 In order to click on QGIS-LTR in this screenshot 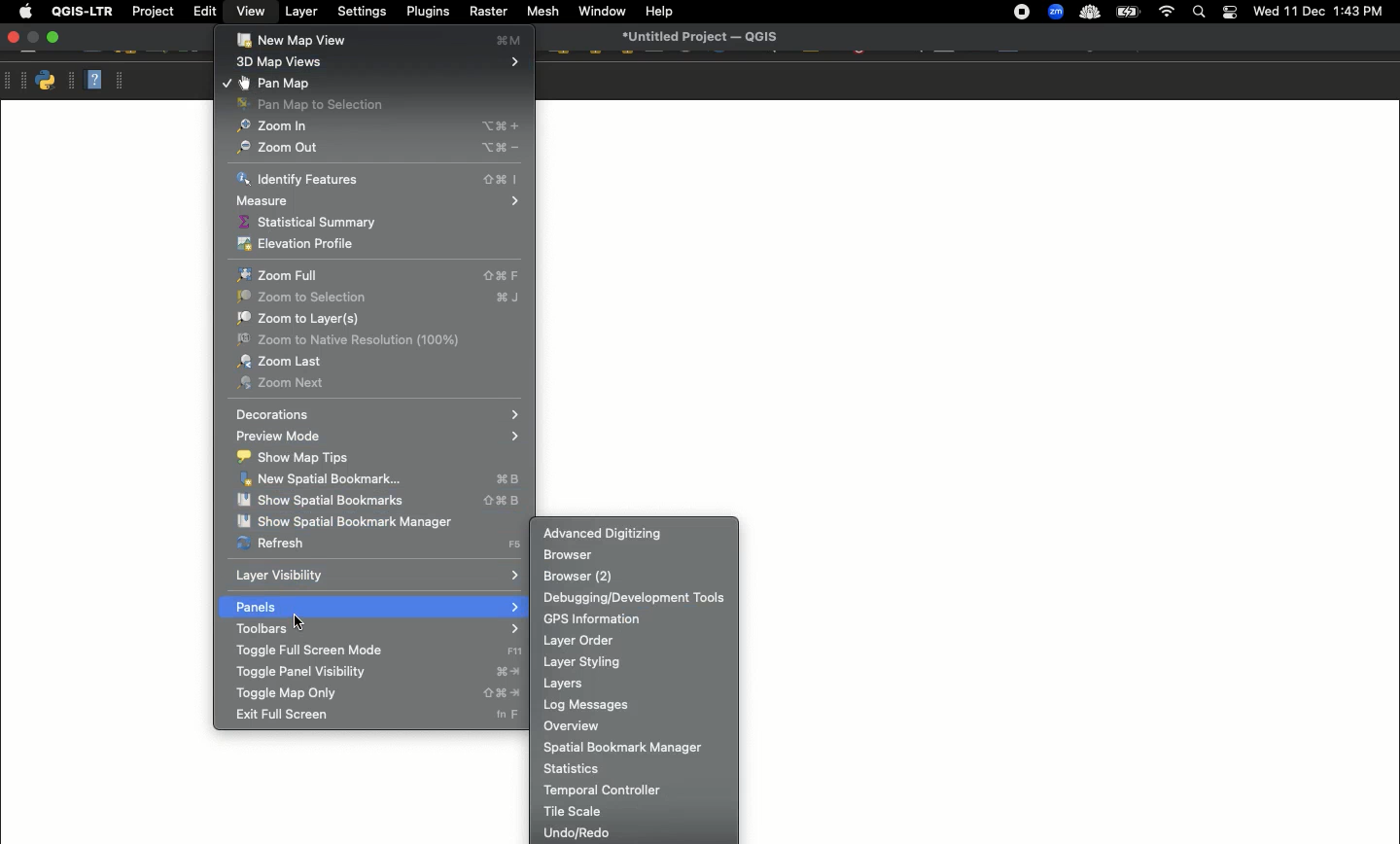, I will do `click(83, 11)`.